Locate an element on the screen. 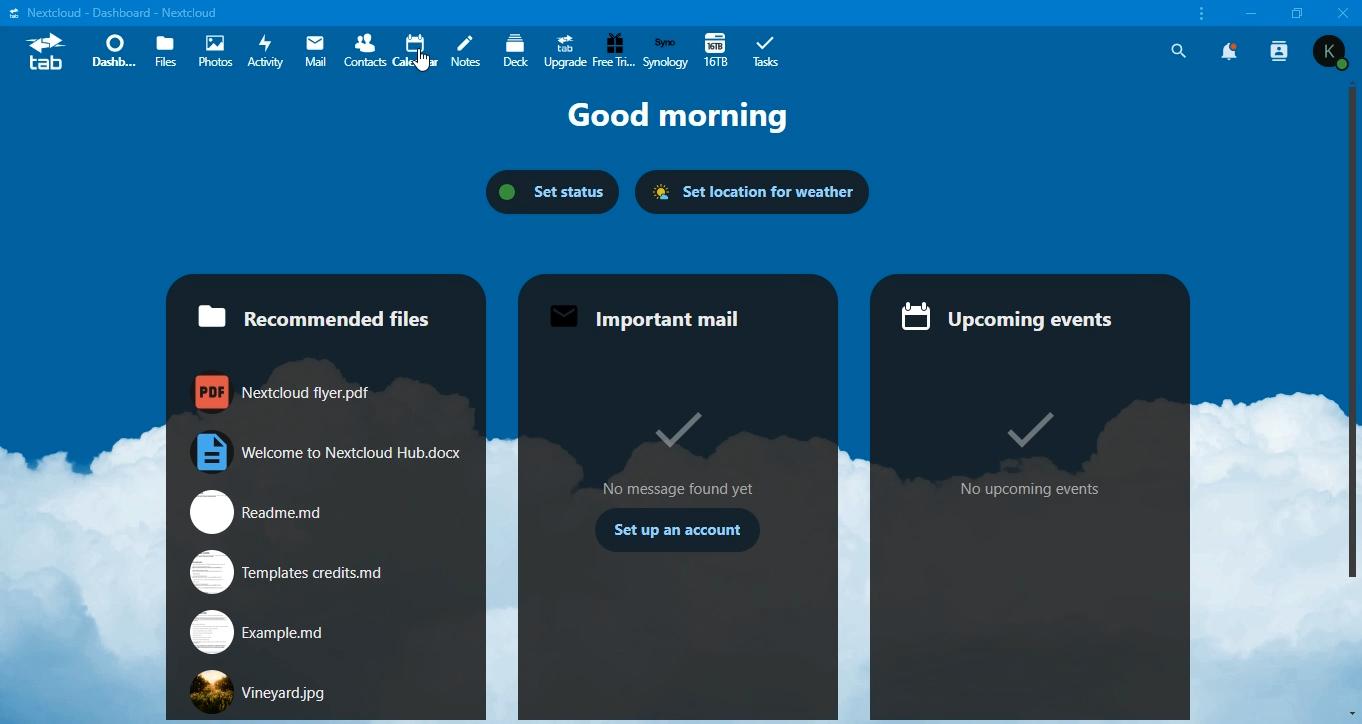 The height and width of the screenshot is (724, 1362). readme.md is located at coordinates (306, 511).